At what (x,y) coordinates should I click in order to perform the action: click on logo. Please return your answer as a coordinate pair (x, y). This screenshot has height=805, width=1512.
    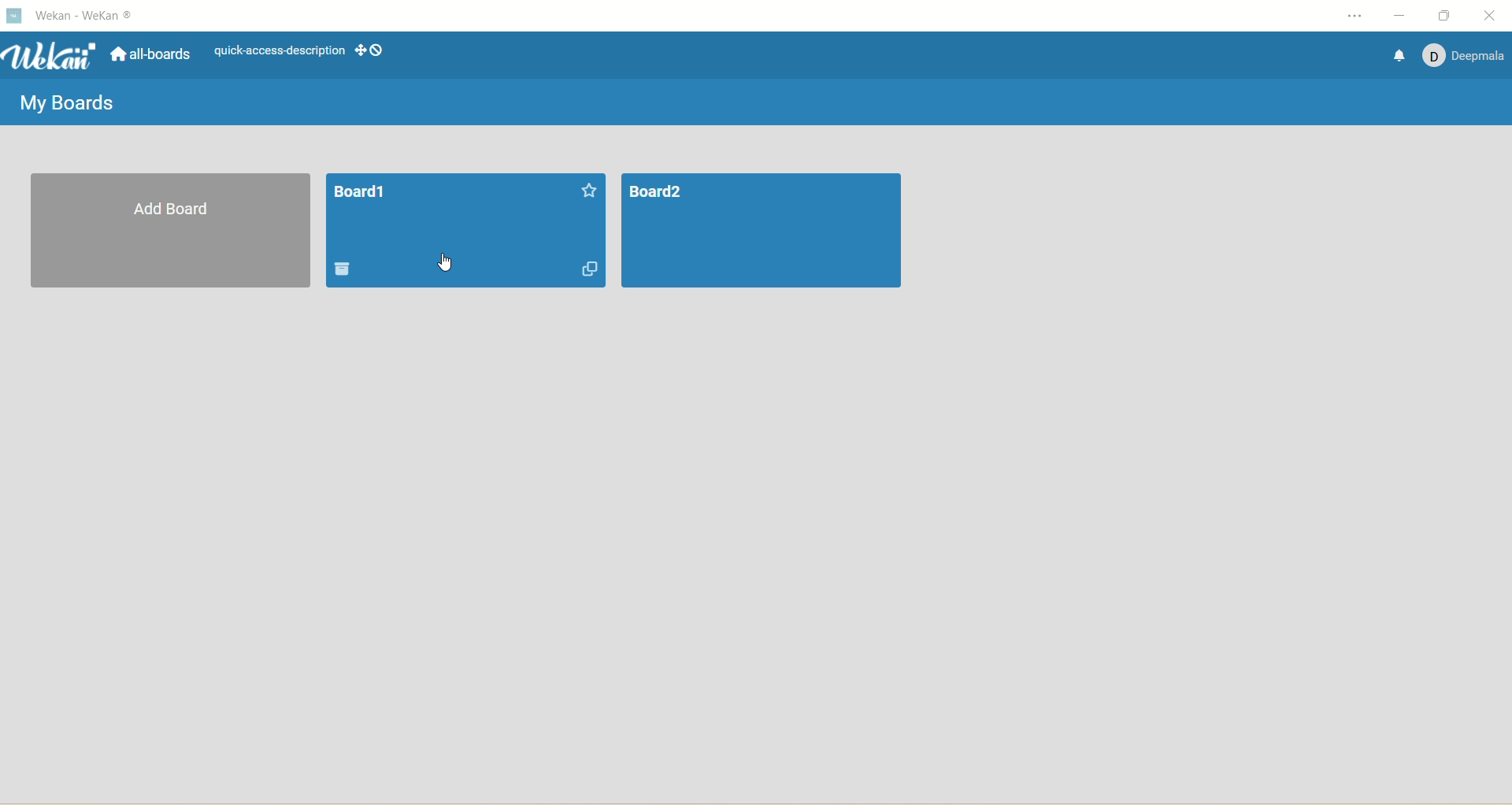
    Looking at the image, I should click on (17, 16).